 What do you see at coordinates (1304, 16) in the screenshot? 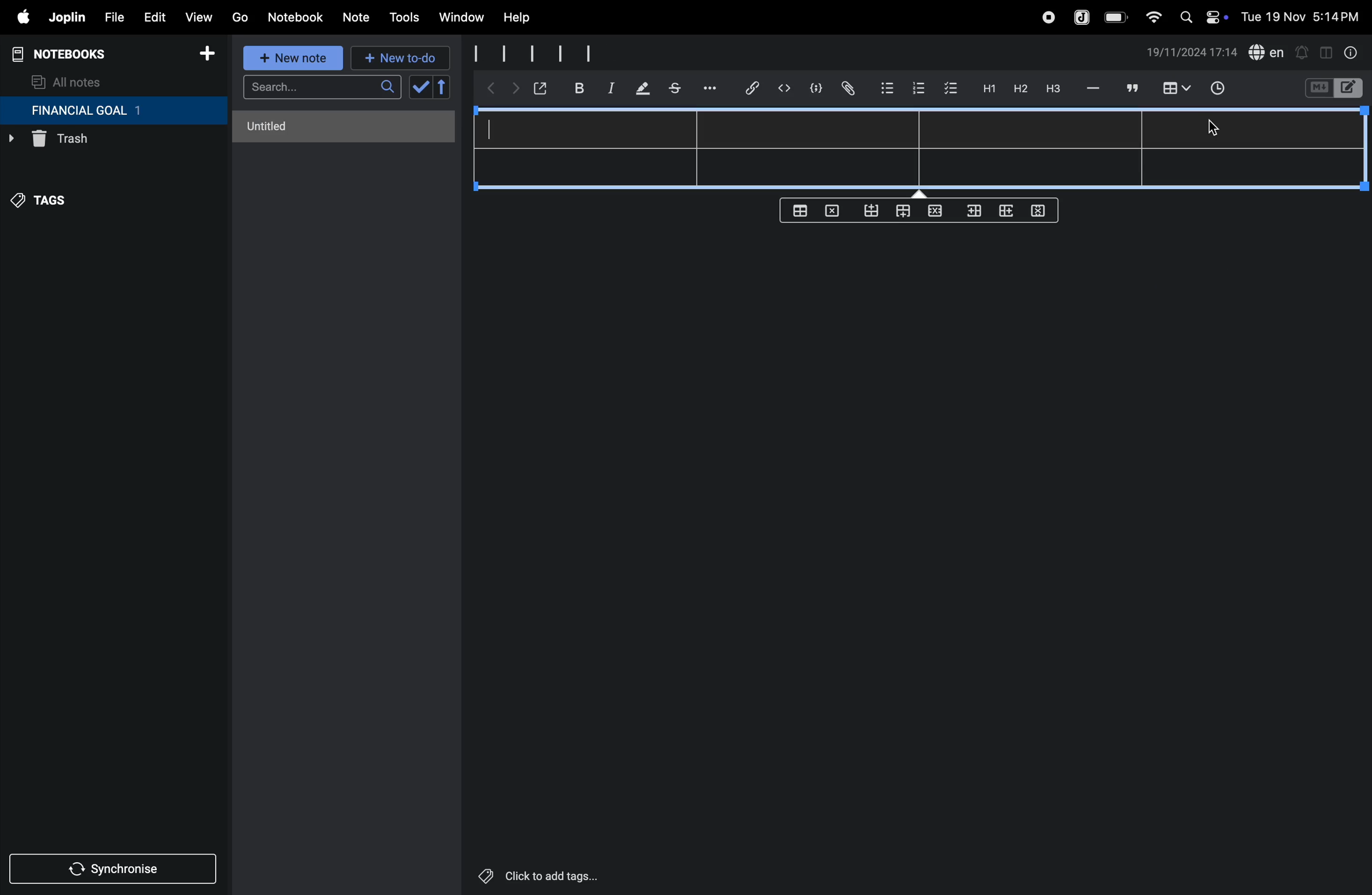
I see `date and time` at bounding box center [1304, 16].